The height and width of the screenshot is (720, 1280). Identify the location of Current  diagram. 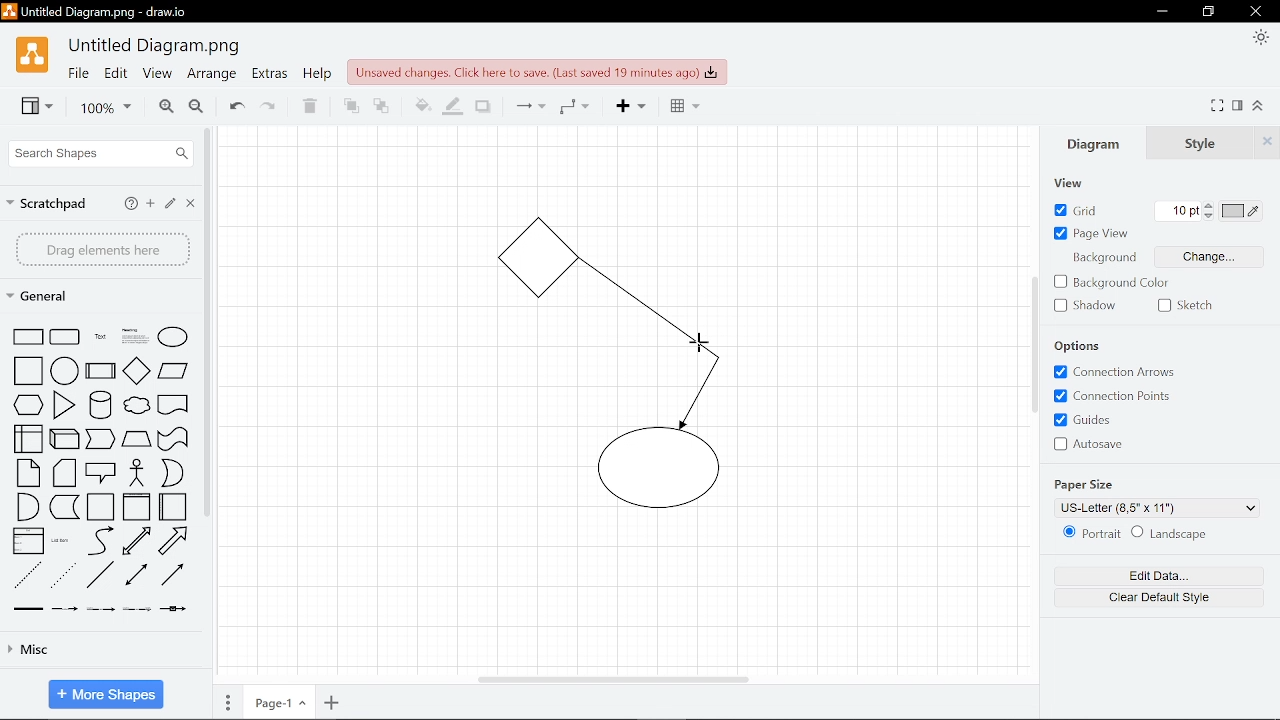
(634, 380).